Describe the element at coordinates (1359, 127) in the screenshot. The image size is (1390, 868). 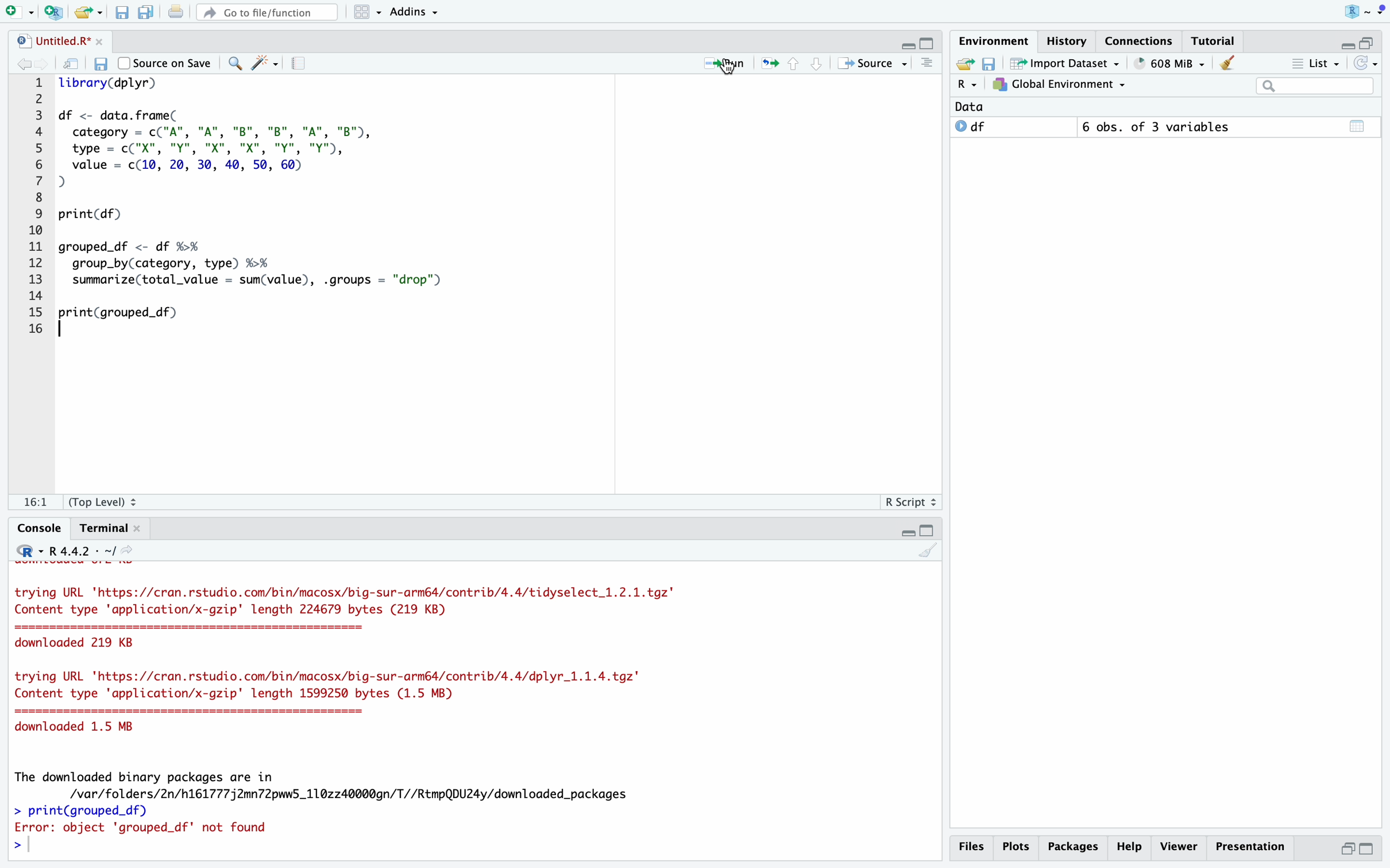
I see `Calender` at that location.